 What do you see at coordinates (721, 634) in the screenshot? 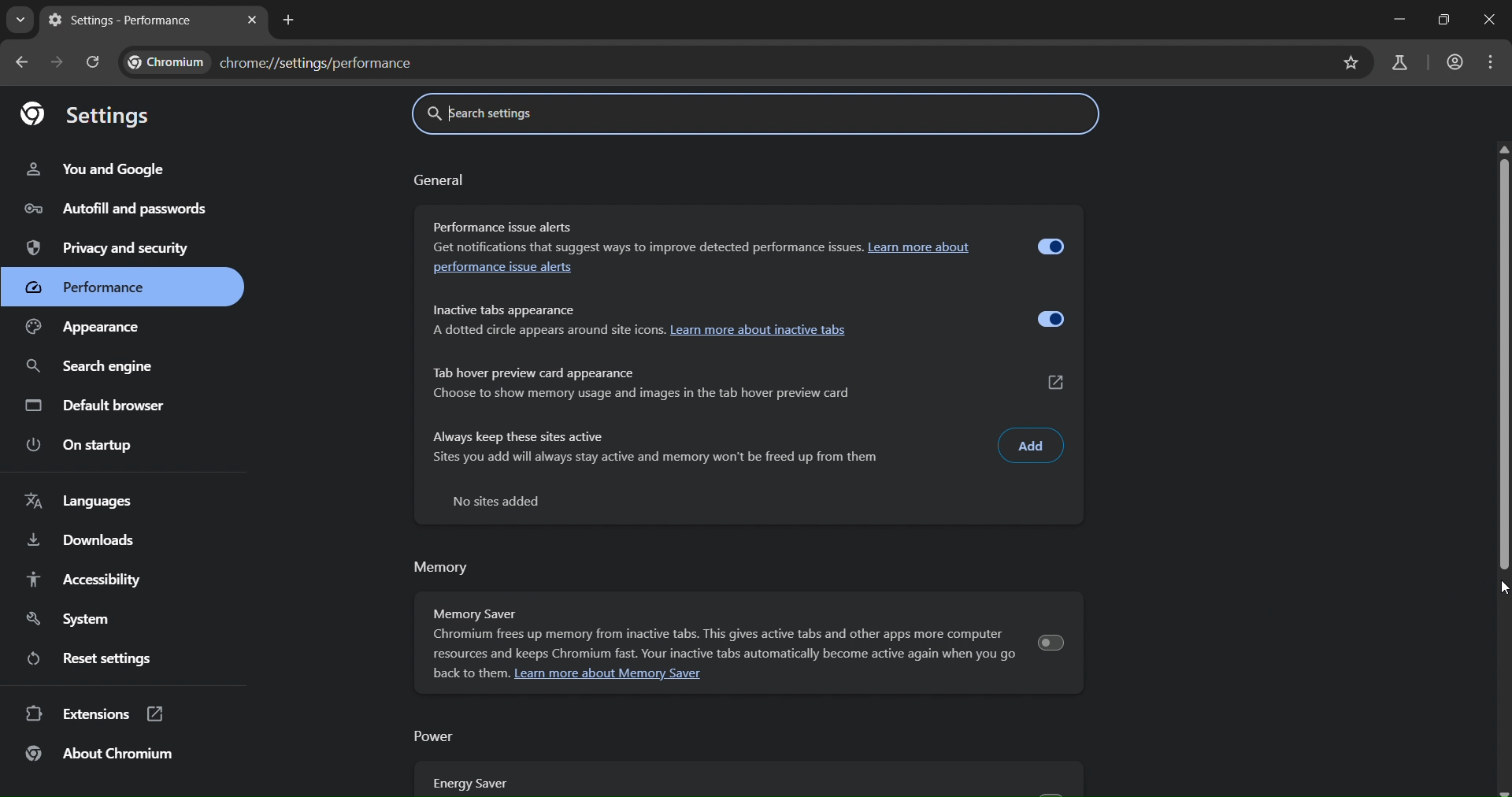
I see `Memory Saver
Chromium frees up memory from inactive tabs. This gives active tabs and other apps more computer
resources and keeps Chromium fast. Your inactive tabs automatically become active again when you go` at bounding box center [721, 634].